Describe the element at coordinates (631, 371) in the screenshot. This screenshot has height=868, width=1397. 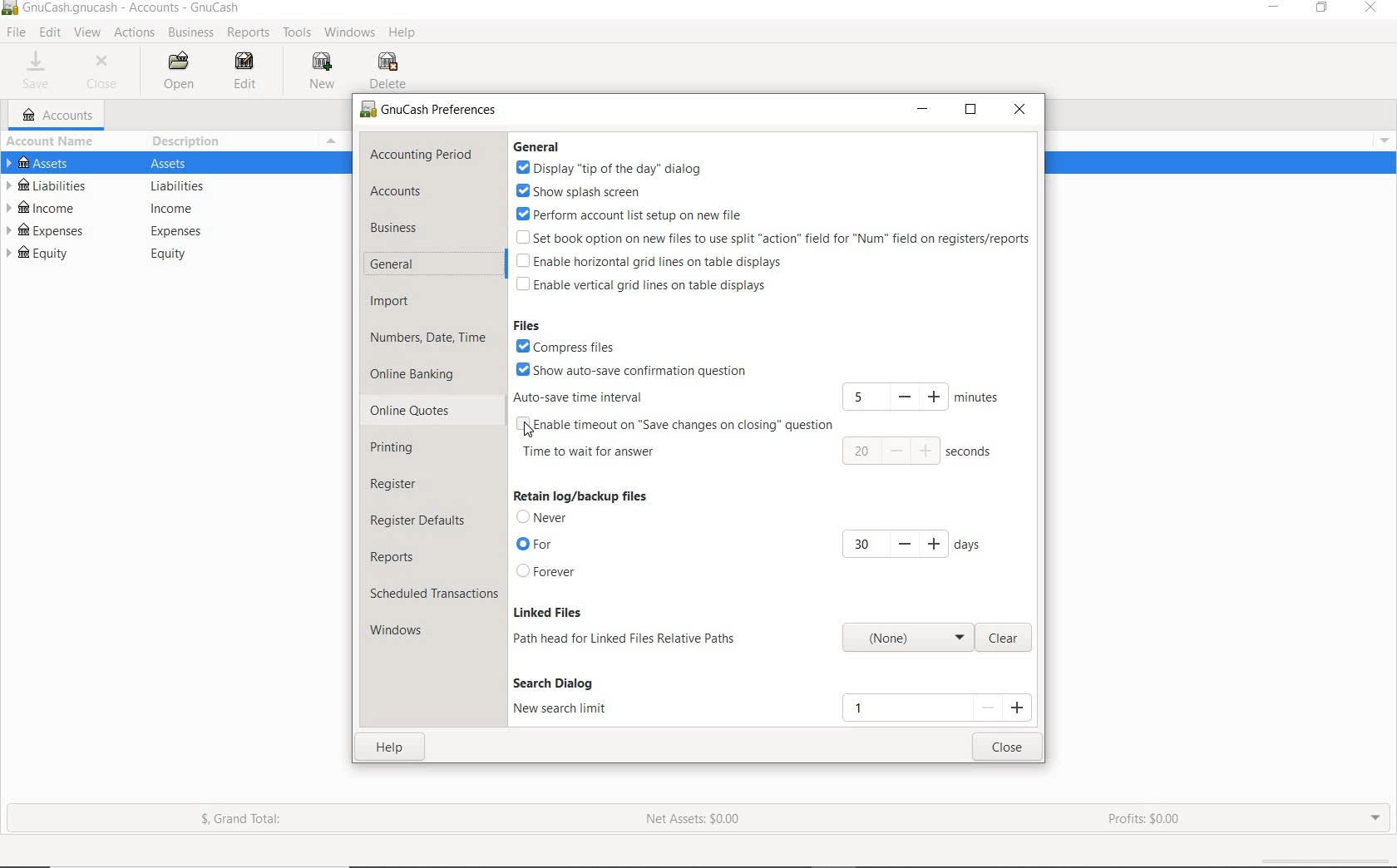
I see `Show auto-save time interval` at that location.